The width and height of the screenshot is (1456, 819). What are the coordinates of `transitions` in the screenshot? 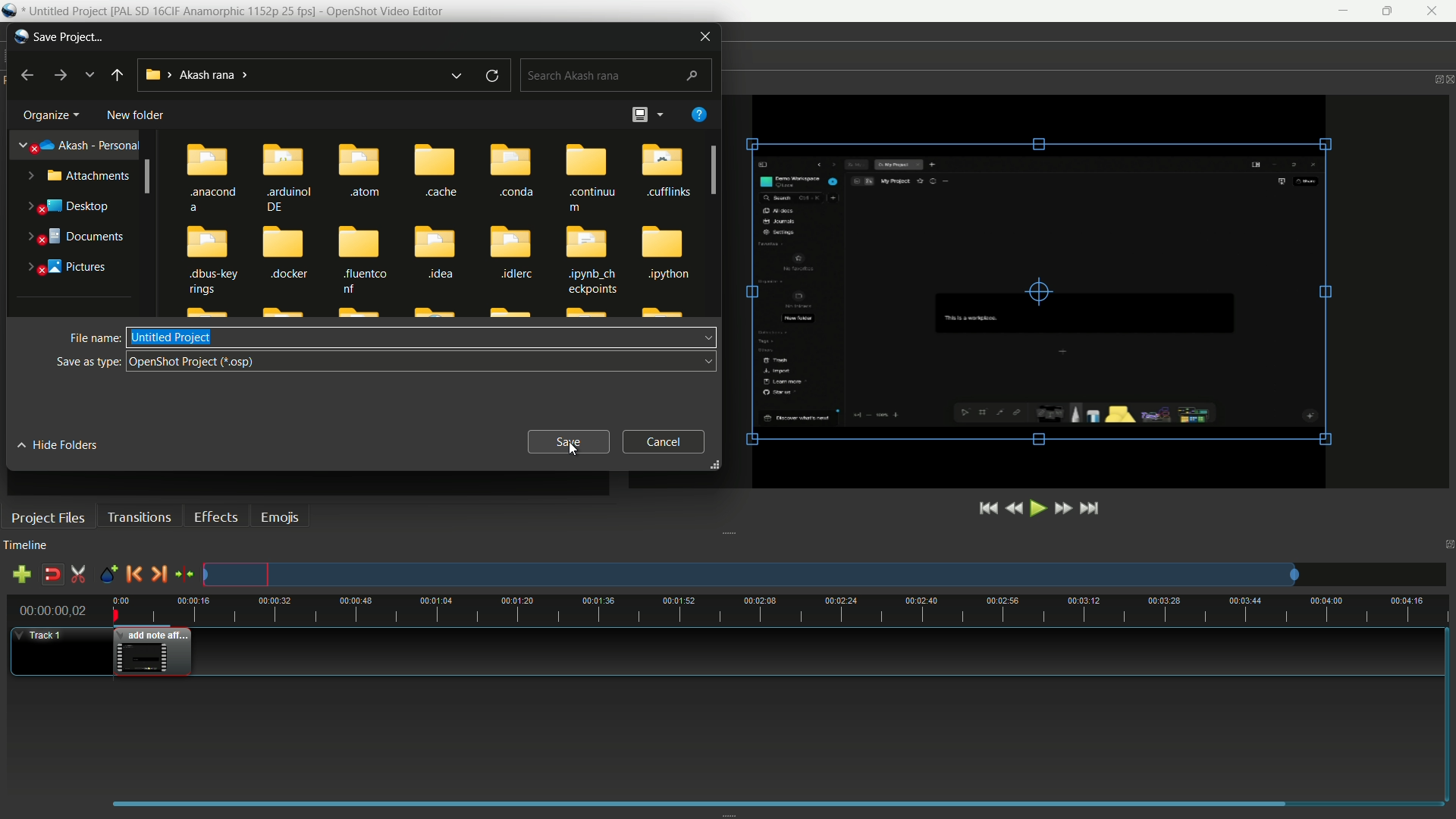 It's located at (139, 518).